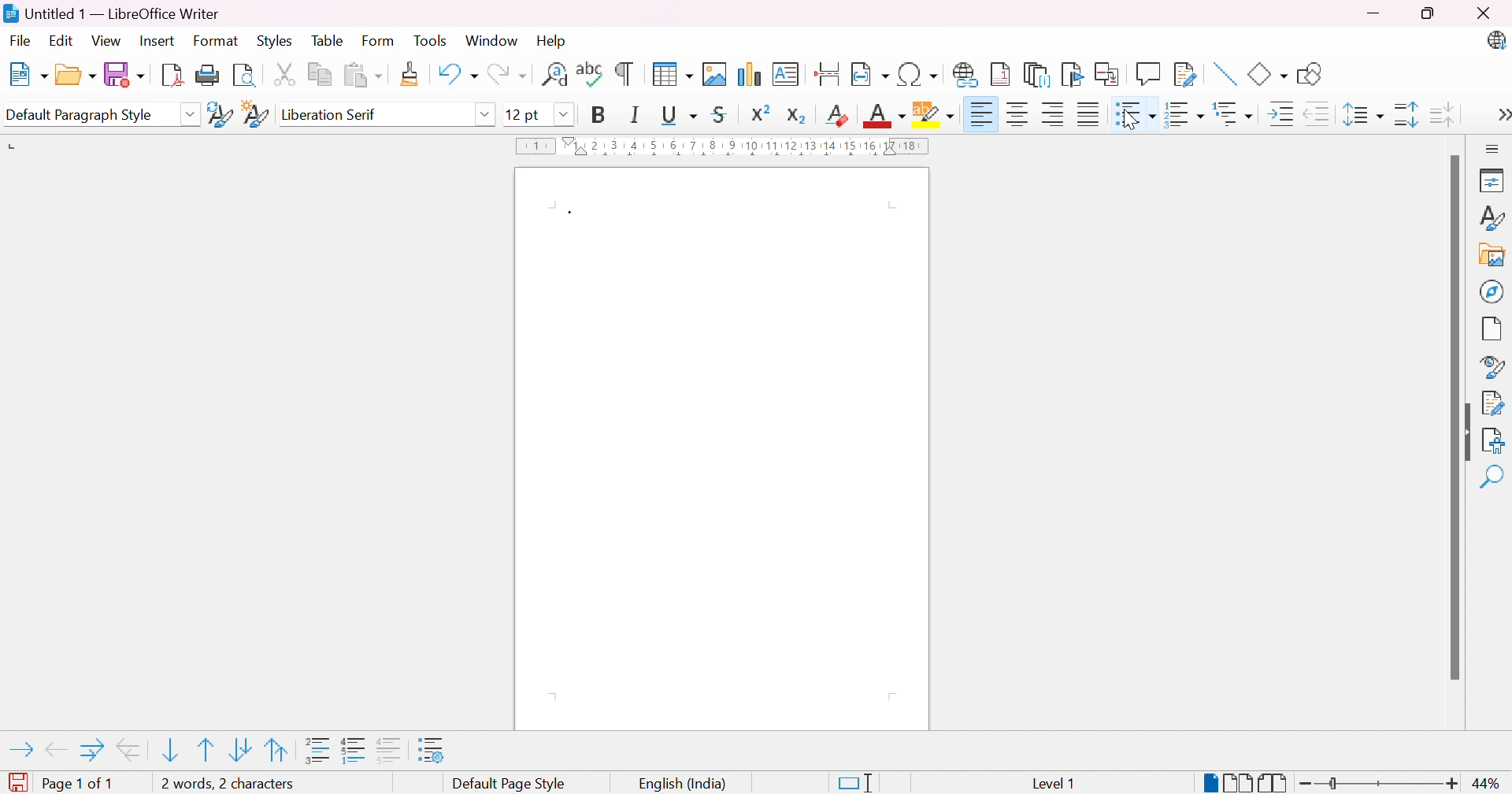 The image size is (1512, 794). I want to click on Scroll bar, so click(1449, 417).